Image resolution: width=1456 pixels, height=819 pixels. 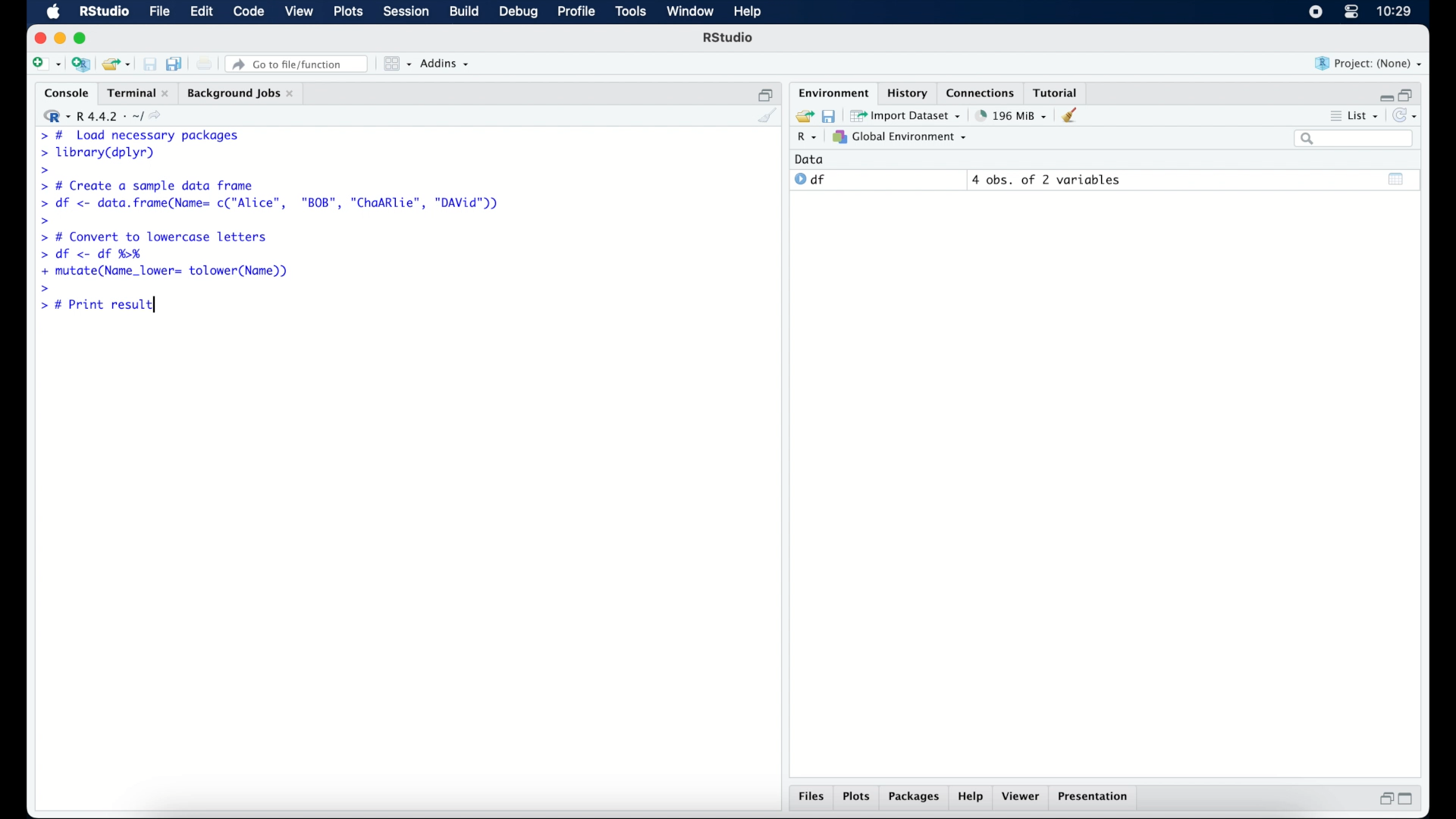 I want to click on date, so click(x=810, y=158).